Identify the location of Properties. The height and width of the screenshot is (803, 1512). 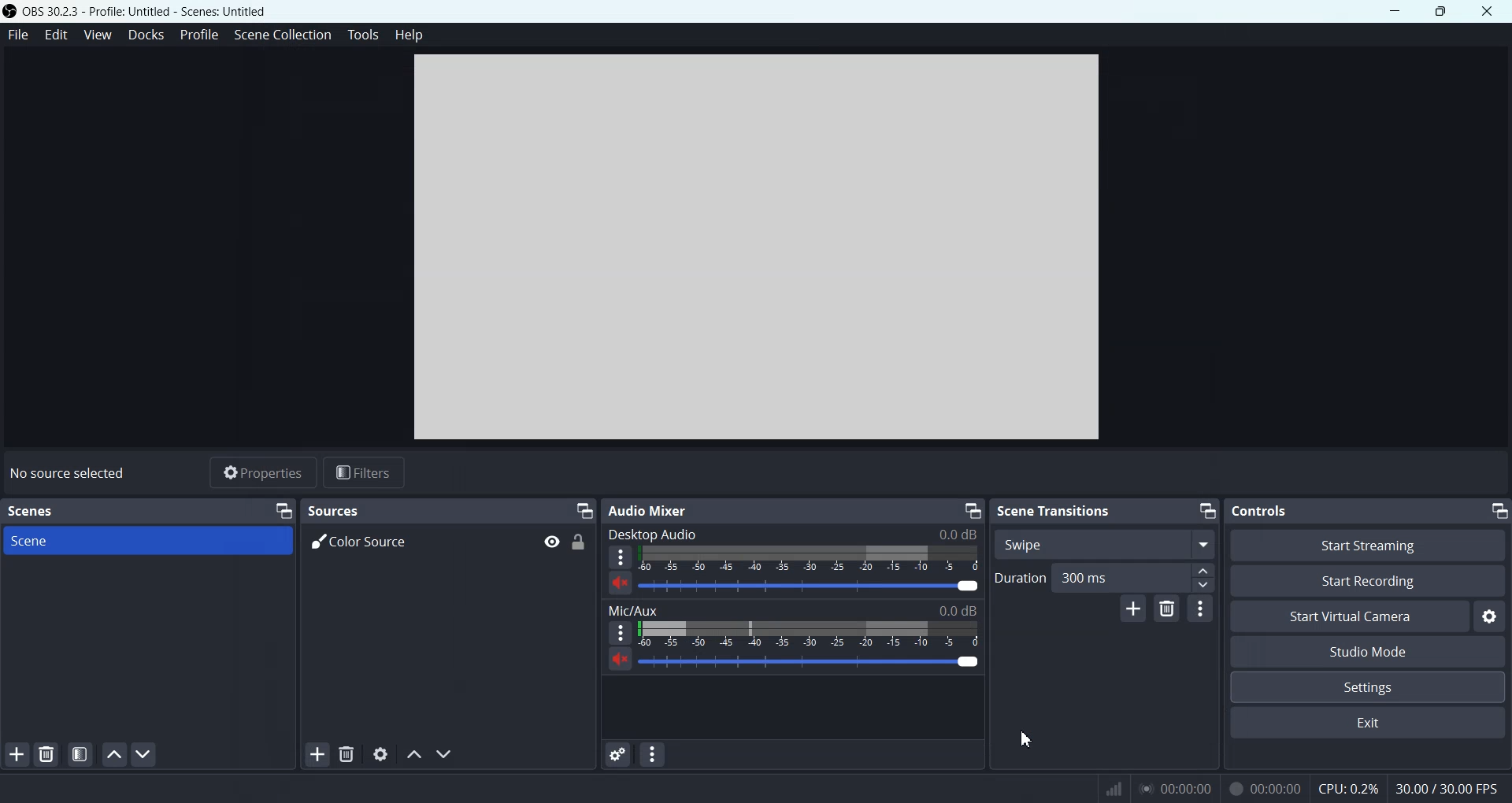
(261, 473).